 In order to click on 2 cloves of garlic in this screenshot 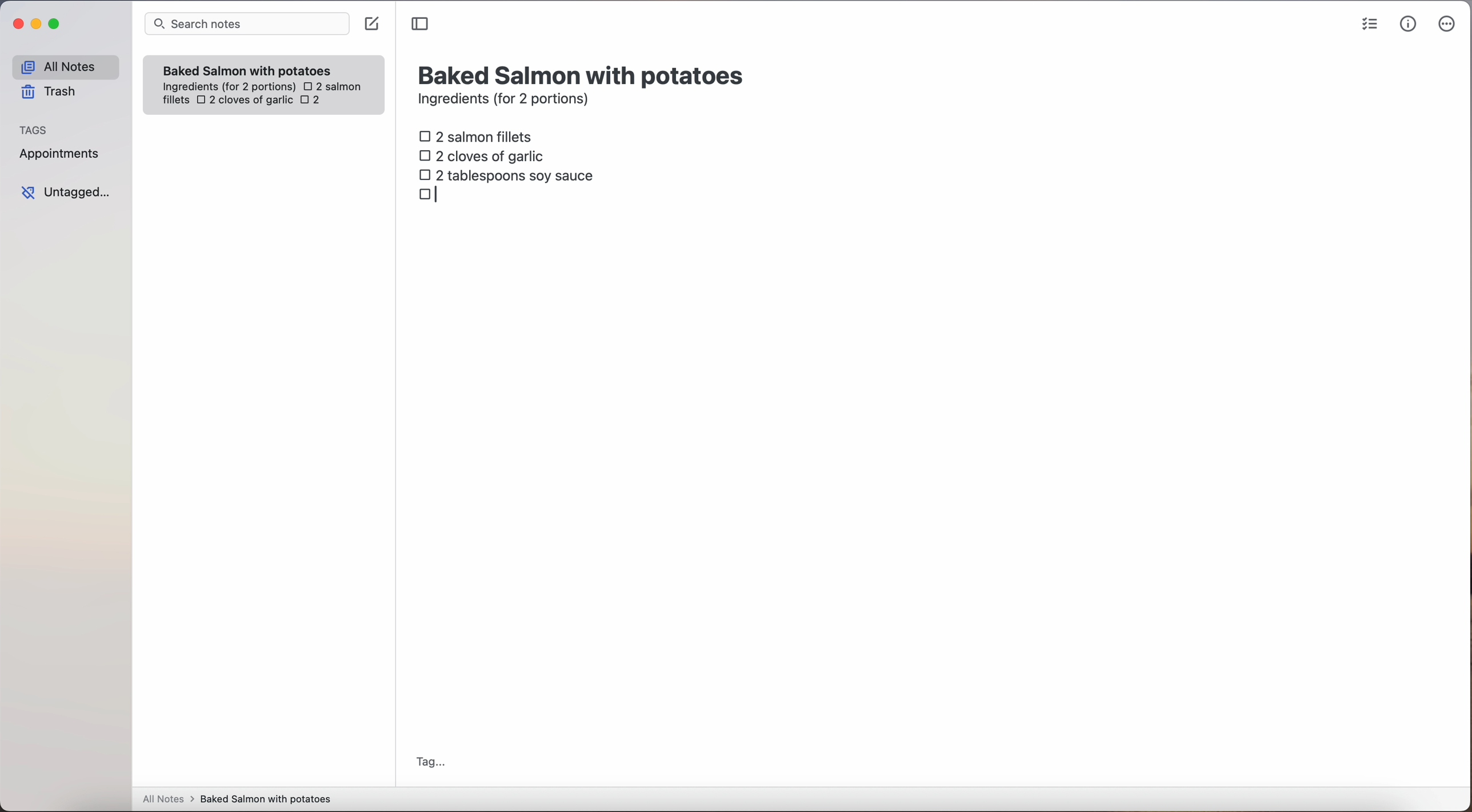, I will do `click(485, 154)`.